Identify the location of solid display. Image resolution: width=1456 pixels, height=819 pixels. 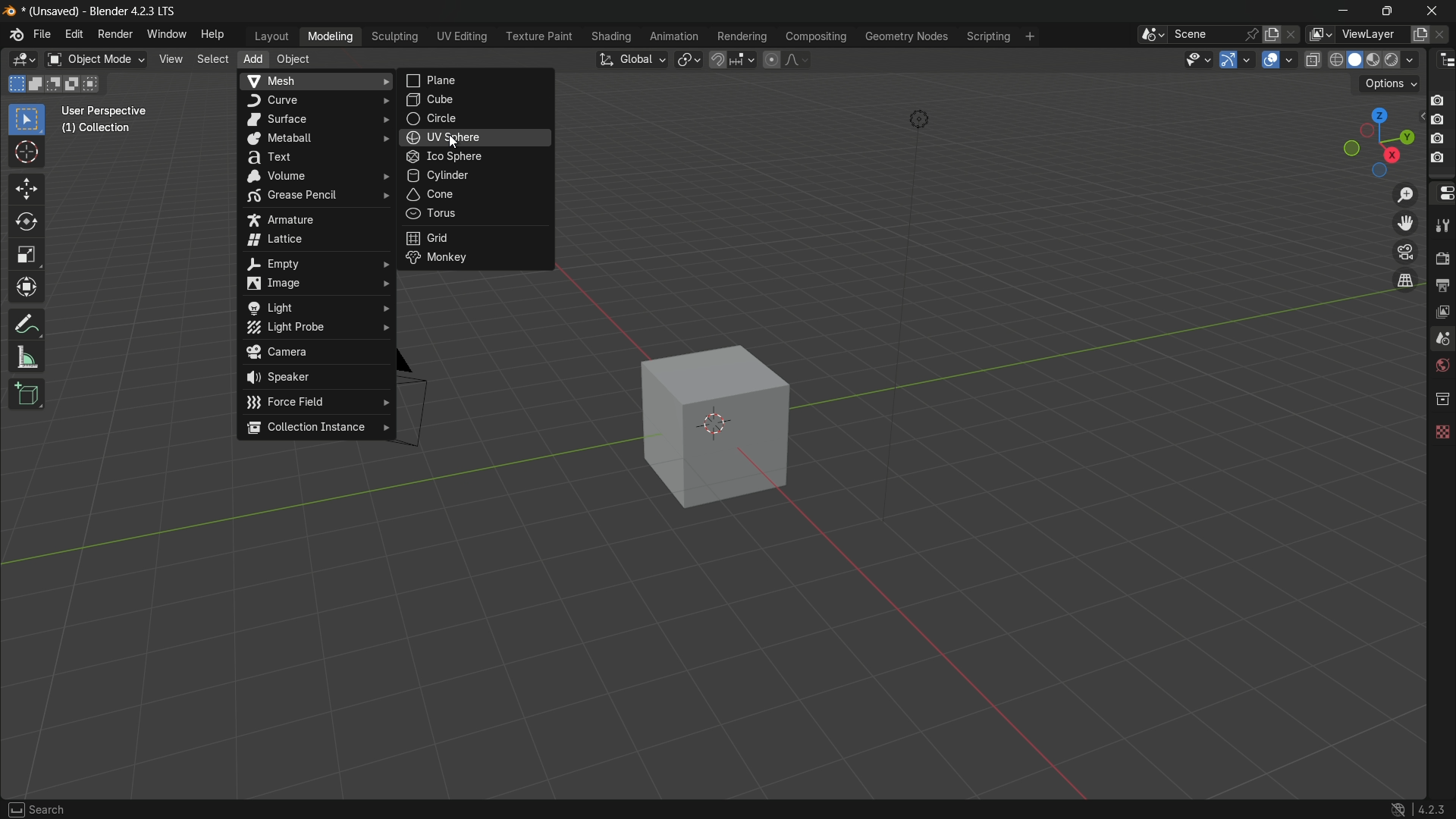
(1355, 59).